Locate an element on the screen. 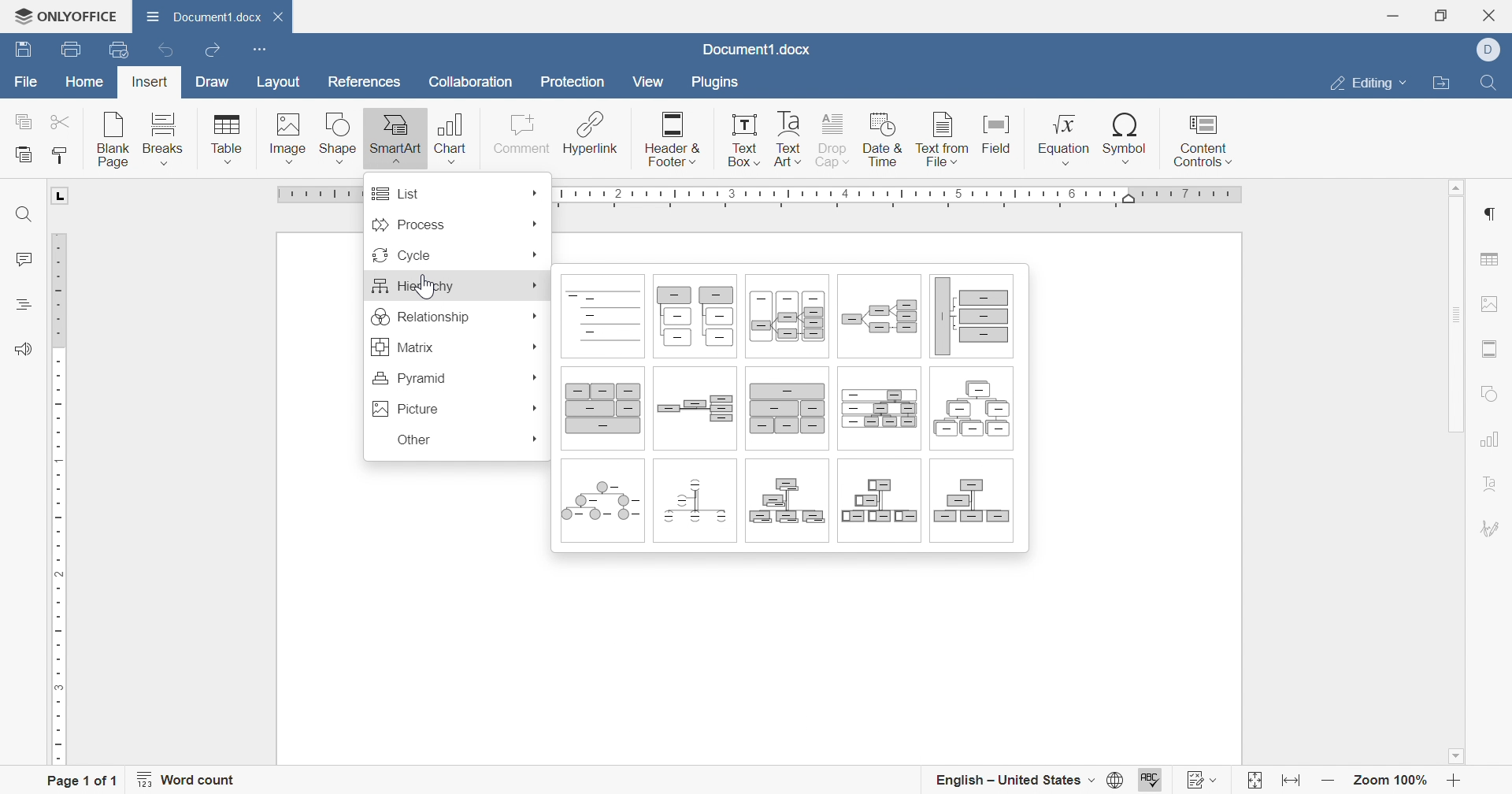 This screenshot has height=794, width=1512. Scroll bar is located at coordinates (1462, 443).